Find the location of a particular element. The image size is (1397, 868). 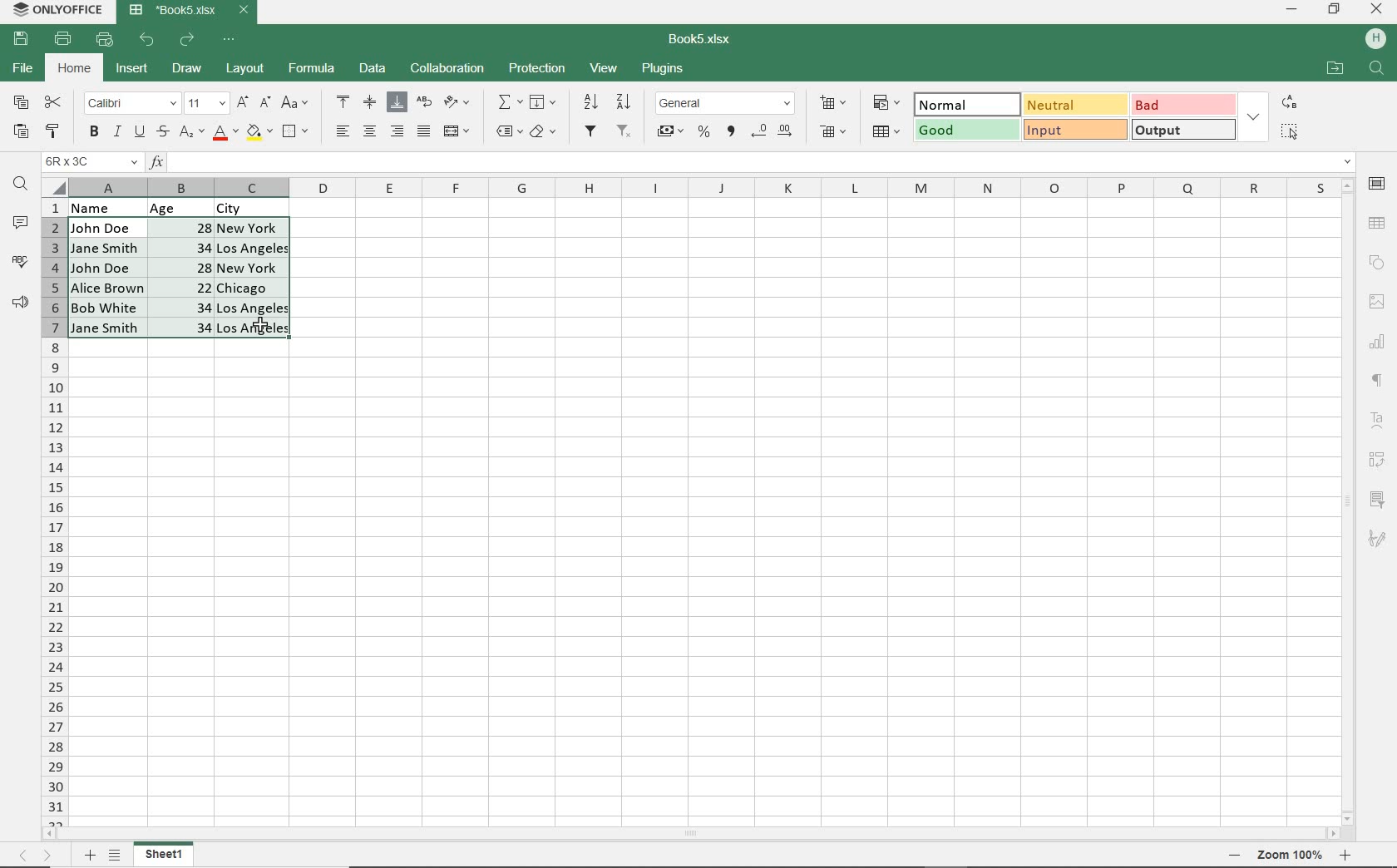

ALIGN CENTER is located at coordinates (368, 132).